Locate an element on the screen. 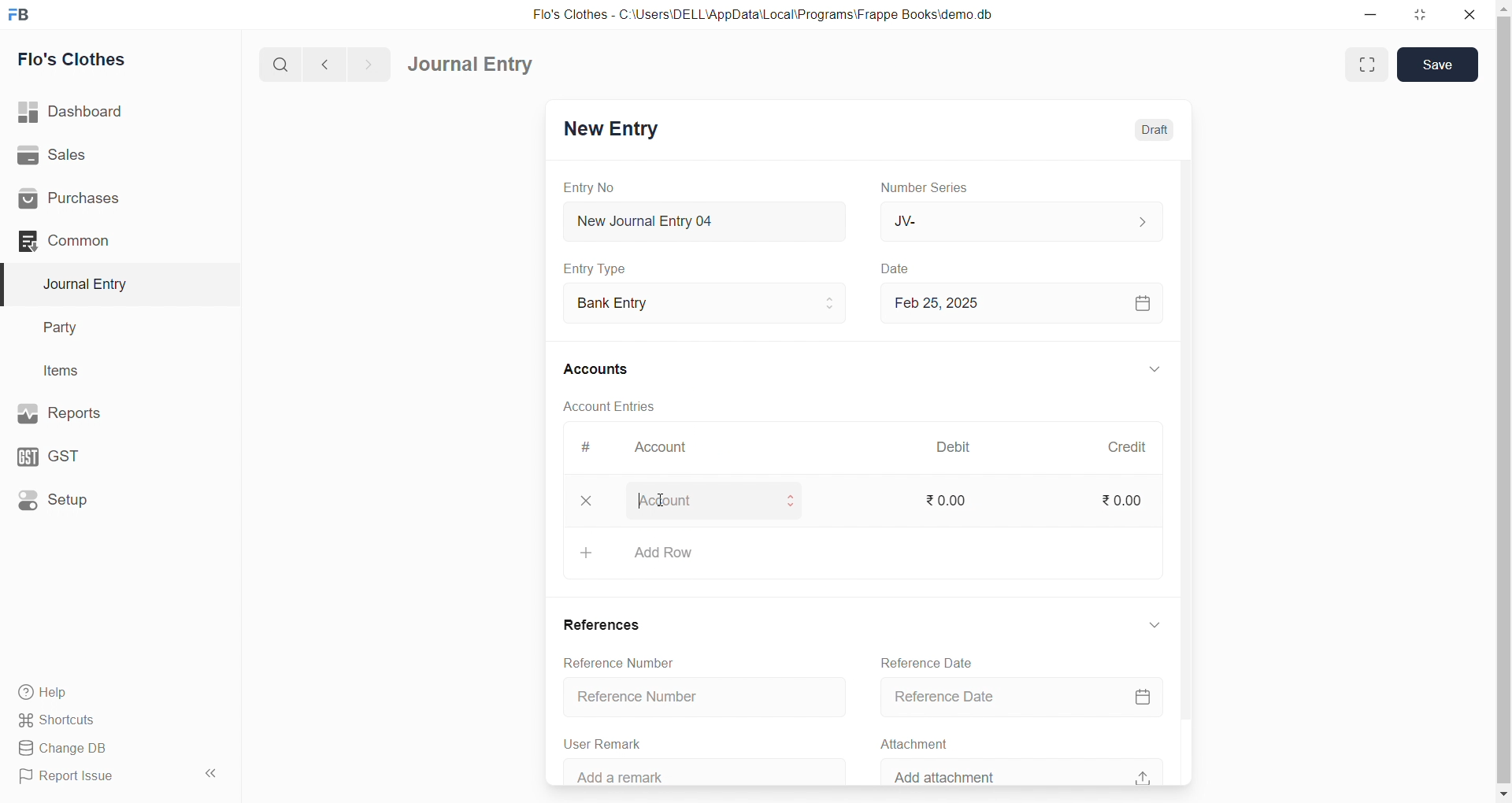  Flo's Clothes - C:\Users\DELL\AppData\Local\Programs\Frappe Books\demo.db is located at coordinates (771, 16).